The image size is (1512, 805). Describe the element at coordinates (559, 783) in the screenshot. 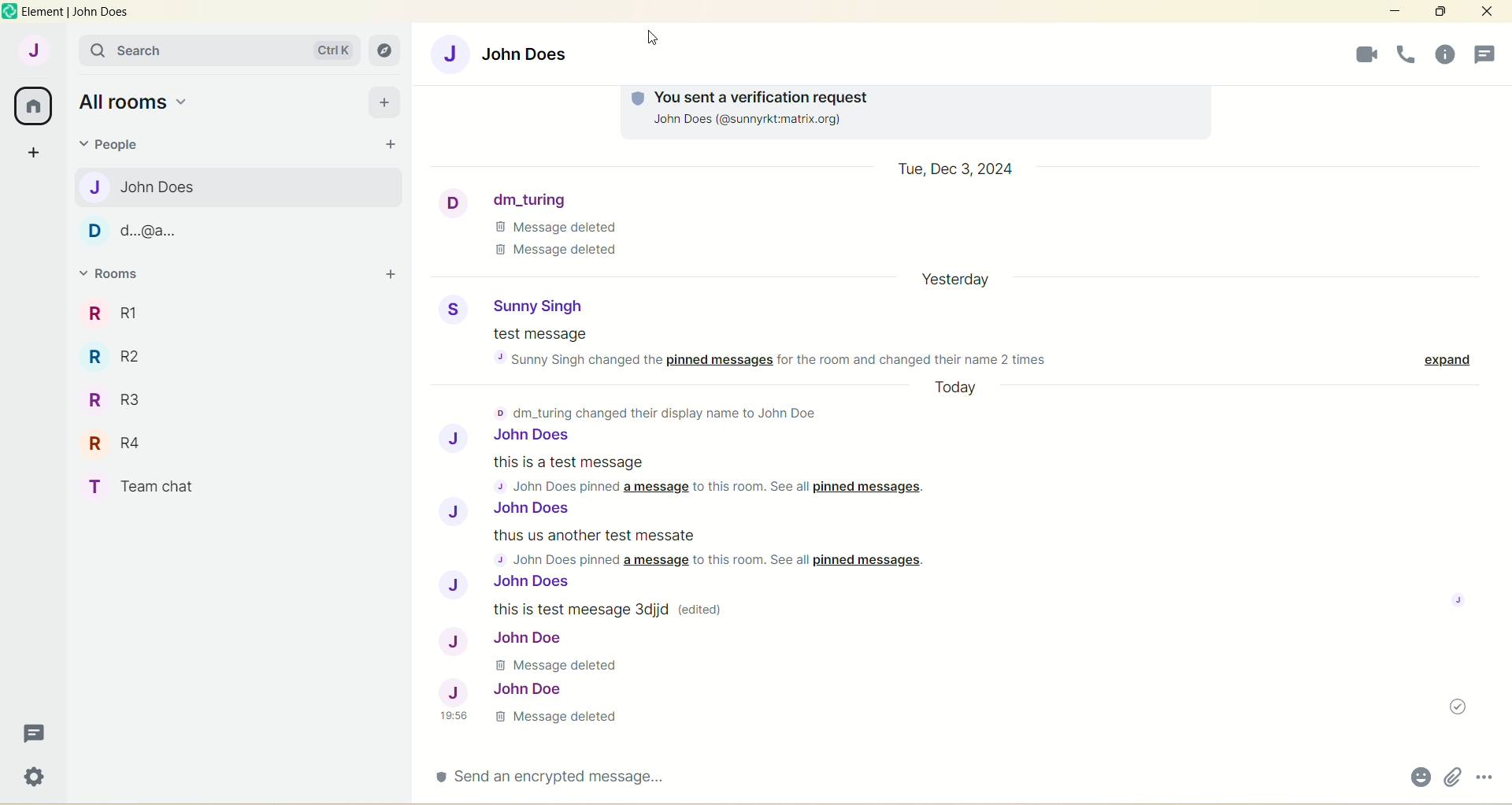

I see `send an encrypted message...` at that location.